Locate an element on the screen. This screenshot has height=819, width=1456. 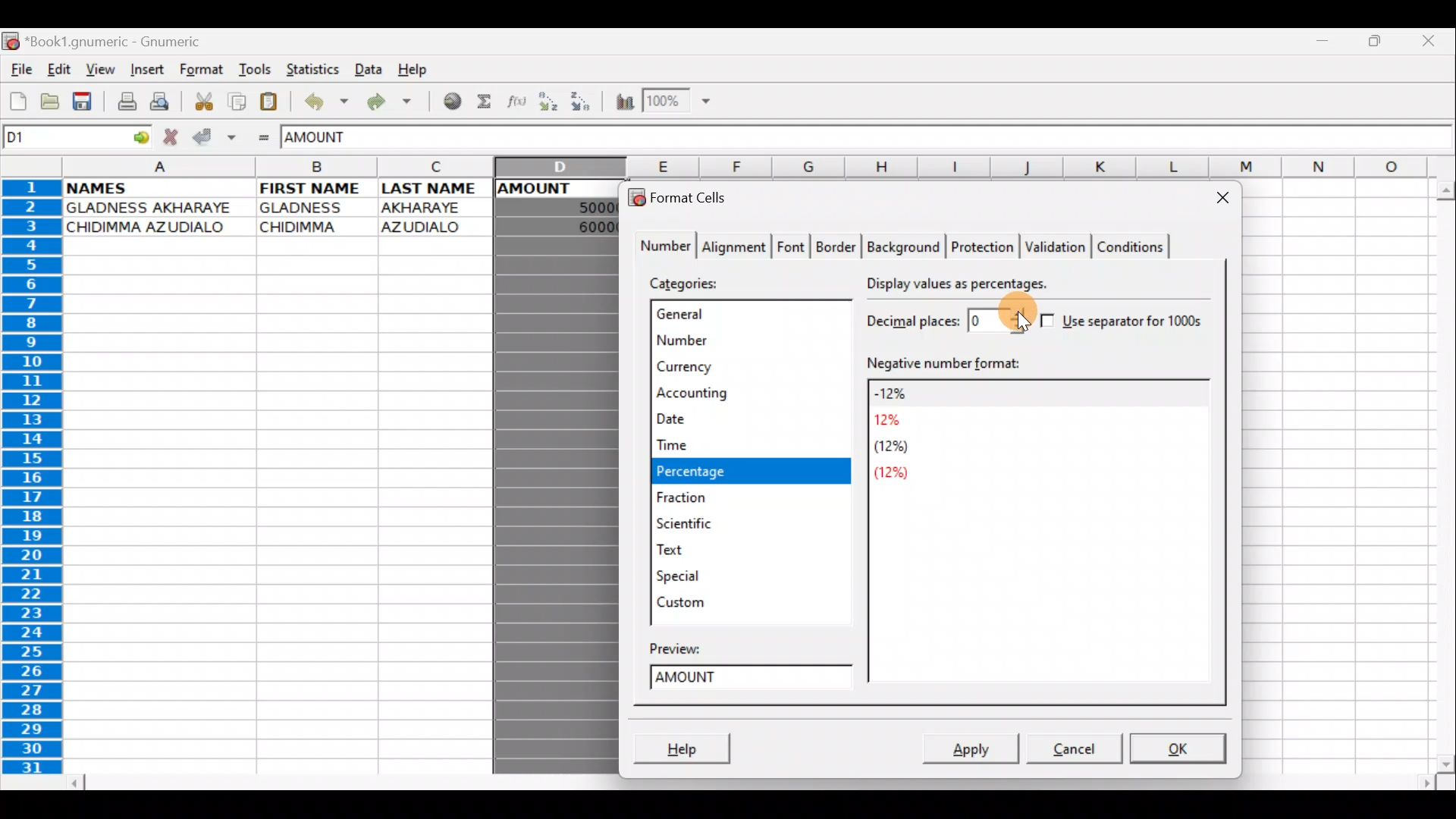
Print preview is located at coordinates (162, 101).